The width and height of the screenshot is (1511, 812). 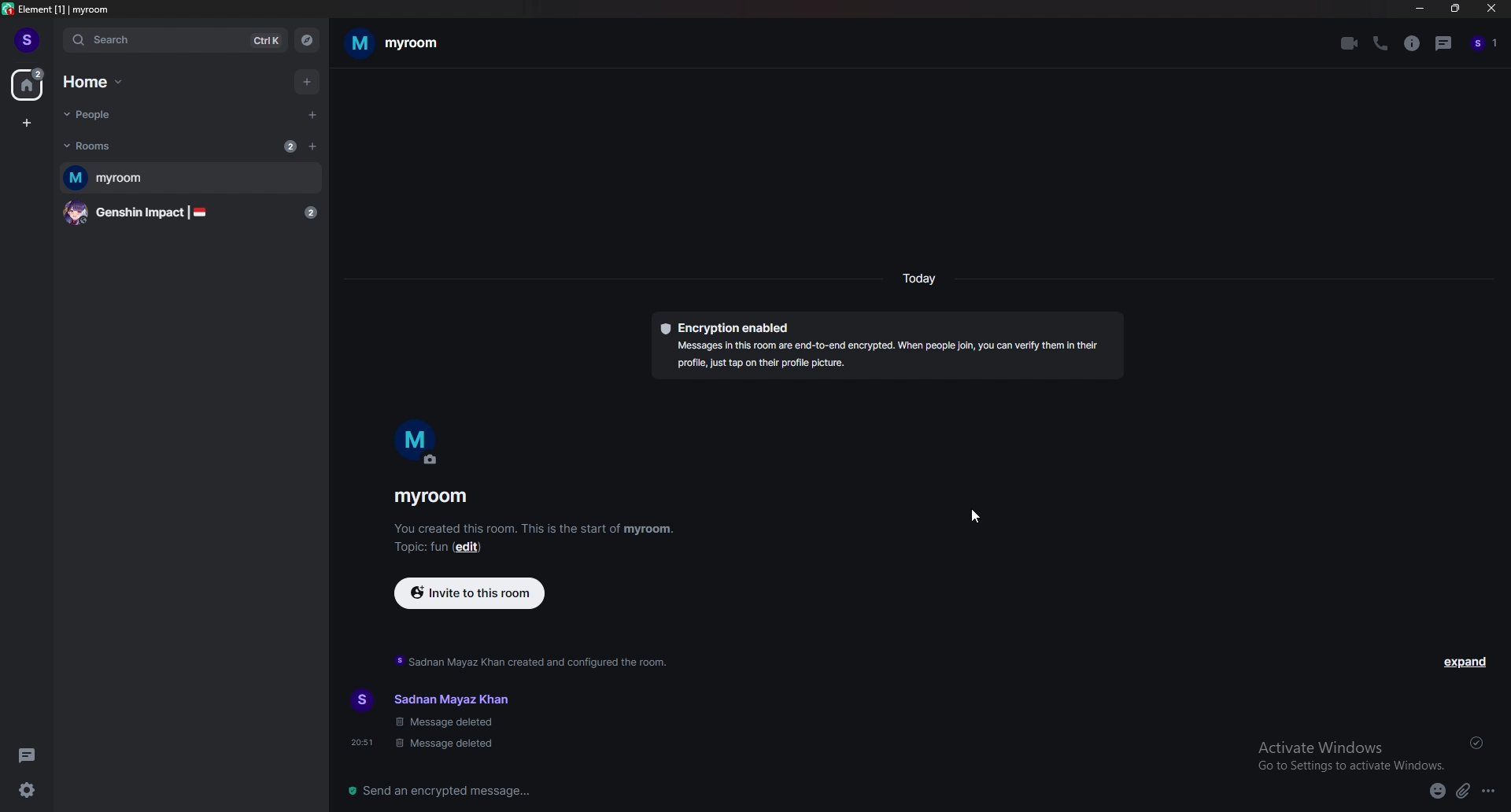 I want to click on add room, so click(x=313, y=146).